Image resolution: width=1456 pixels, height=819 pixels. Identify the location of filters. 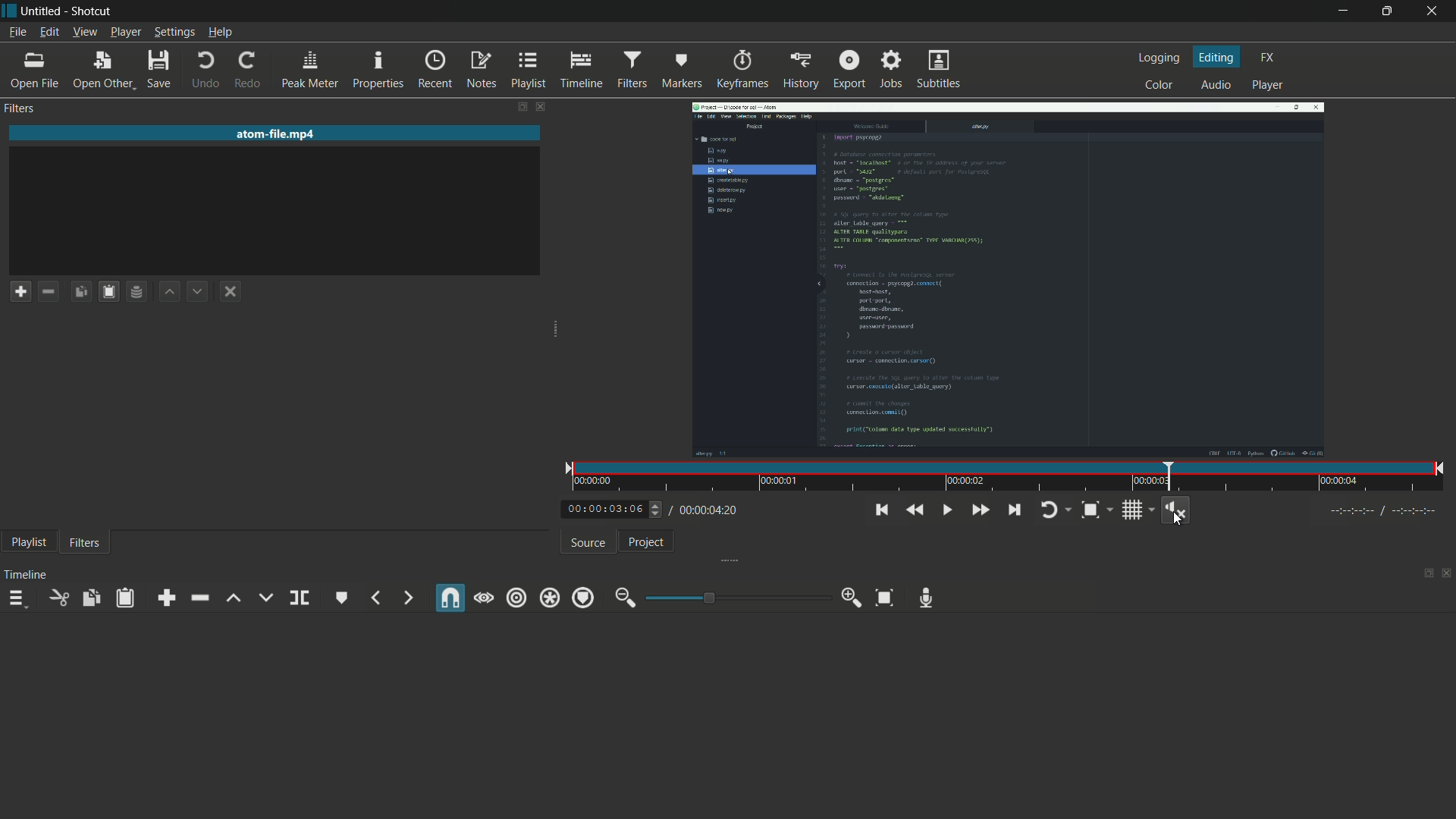
(630, 70).